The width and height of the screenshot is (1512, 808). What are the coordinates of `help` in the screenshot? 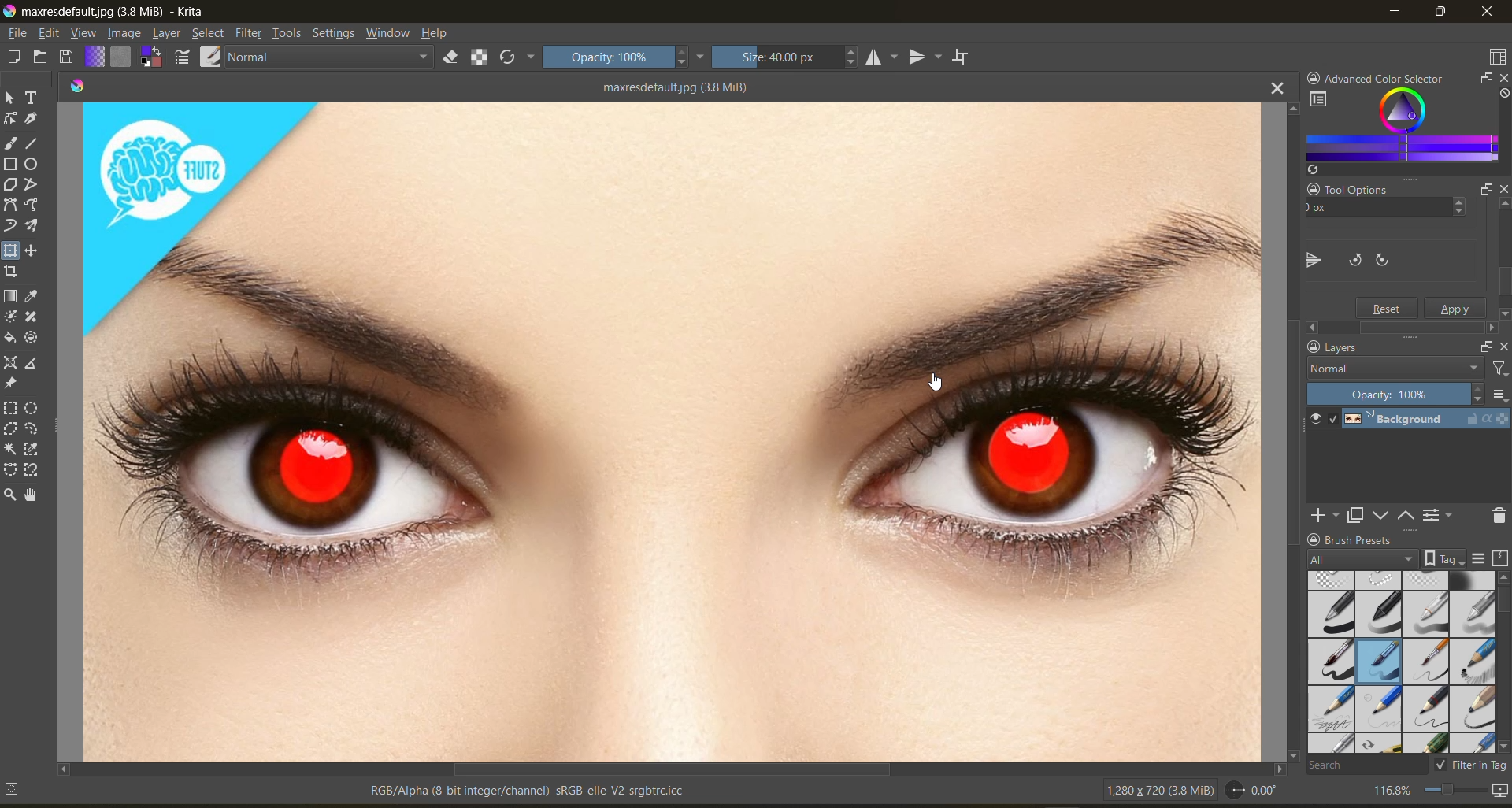 It's located at (439, 34).